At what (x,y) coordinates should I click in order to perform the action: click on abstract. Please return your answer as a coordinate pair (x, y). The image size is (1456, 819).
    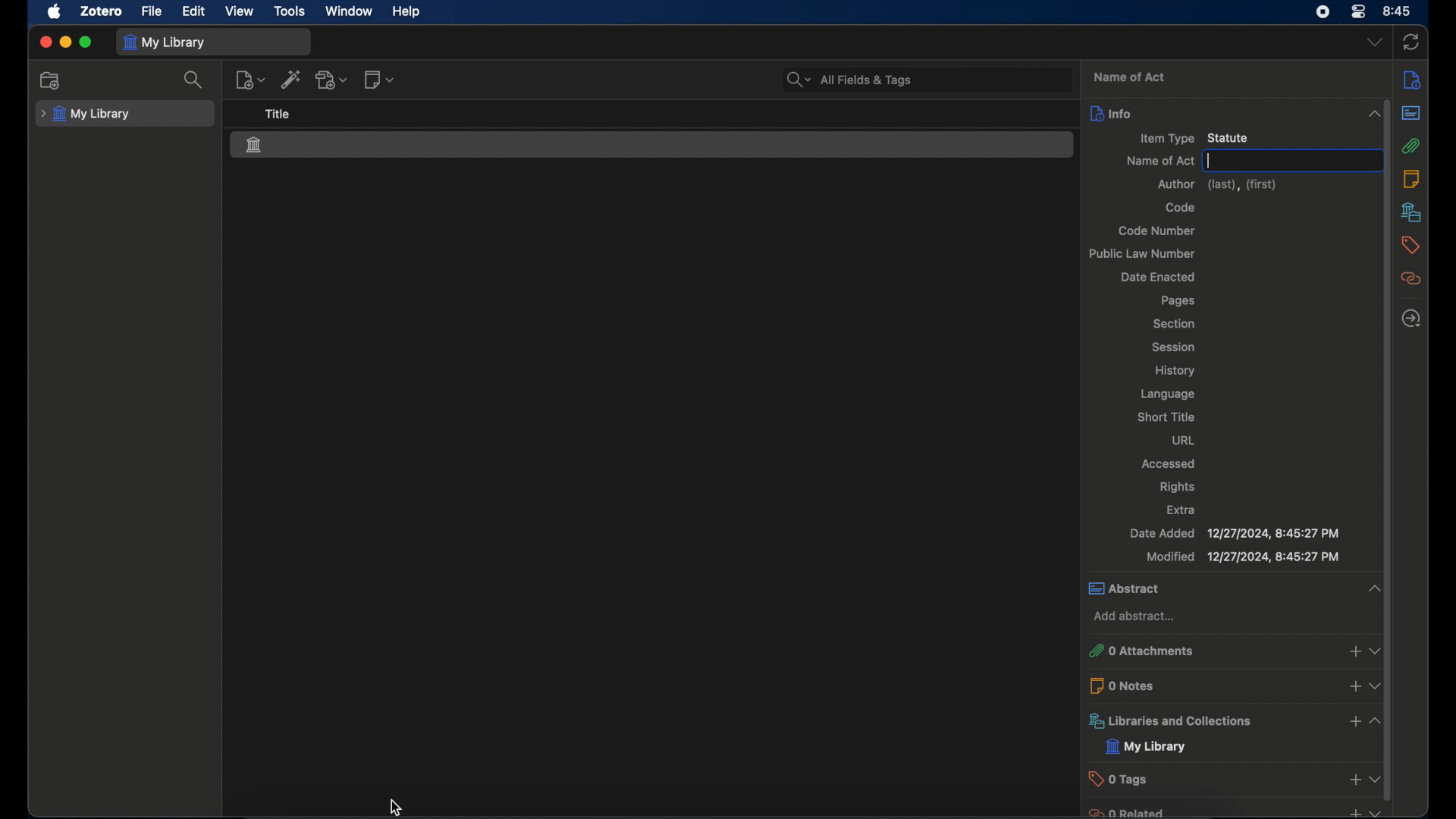
    Looking at the image, I should click on (1210, 588).